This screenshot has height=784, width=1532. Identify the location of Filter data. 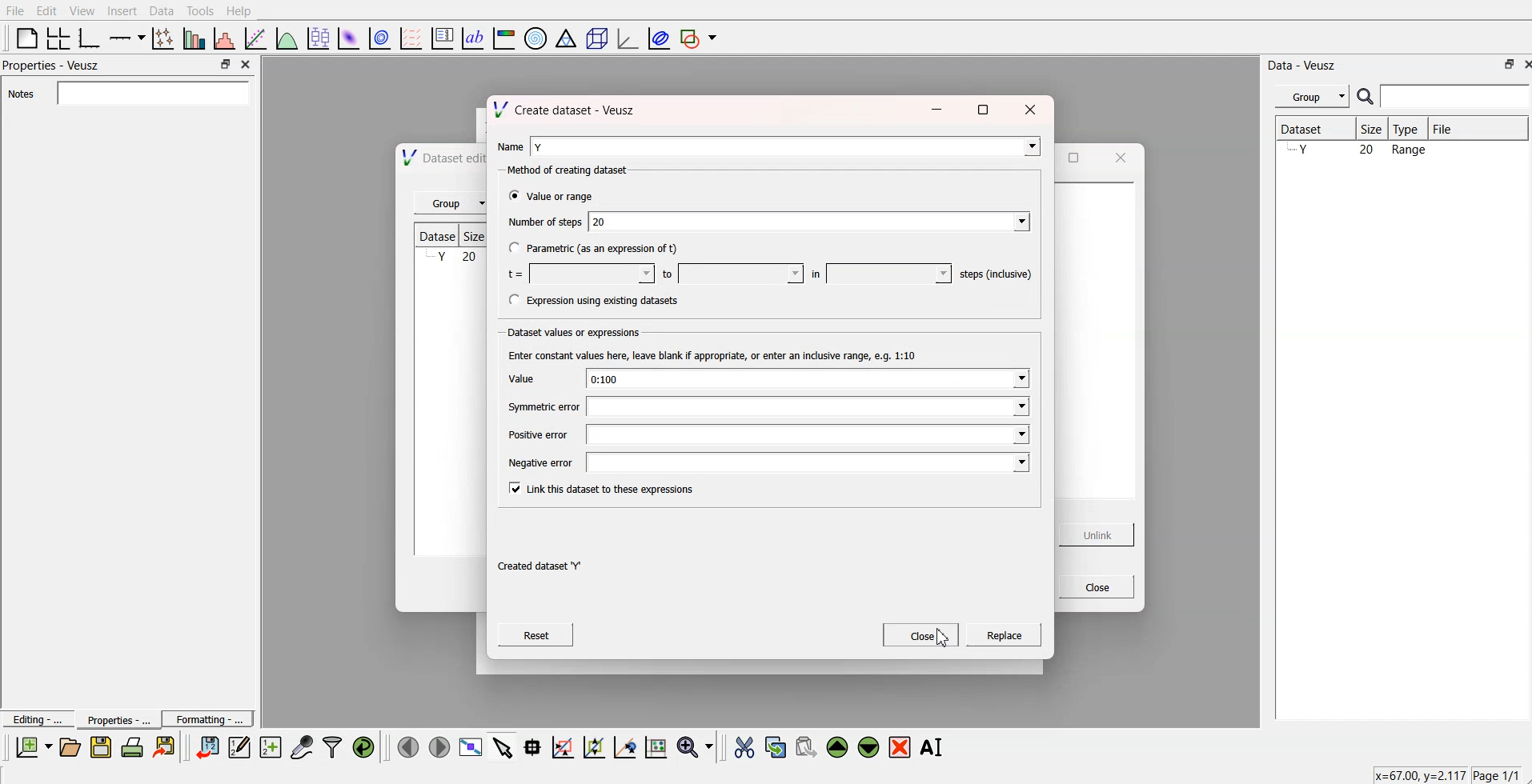
(334, 746).